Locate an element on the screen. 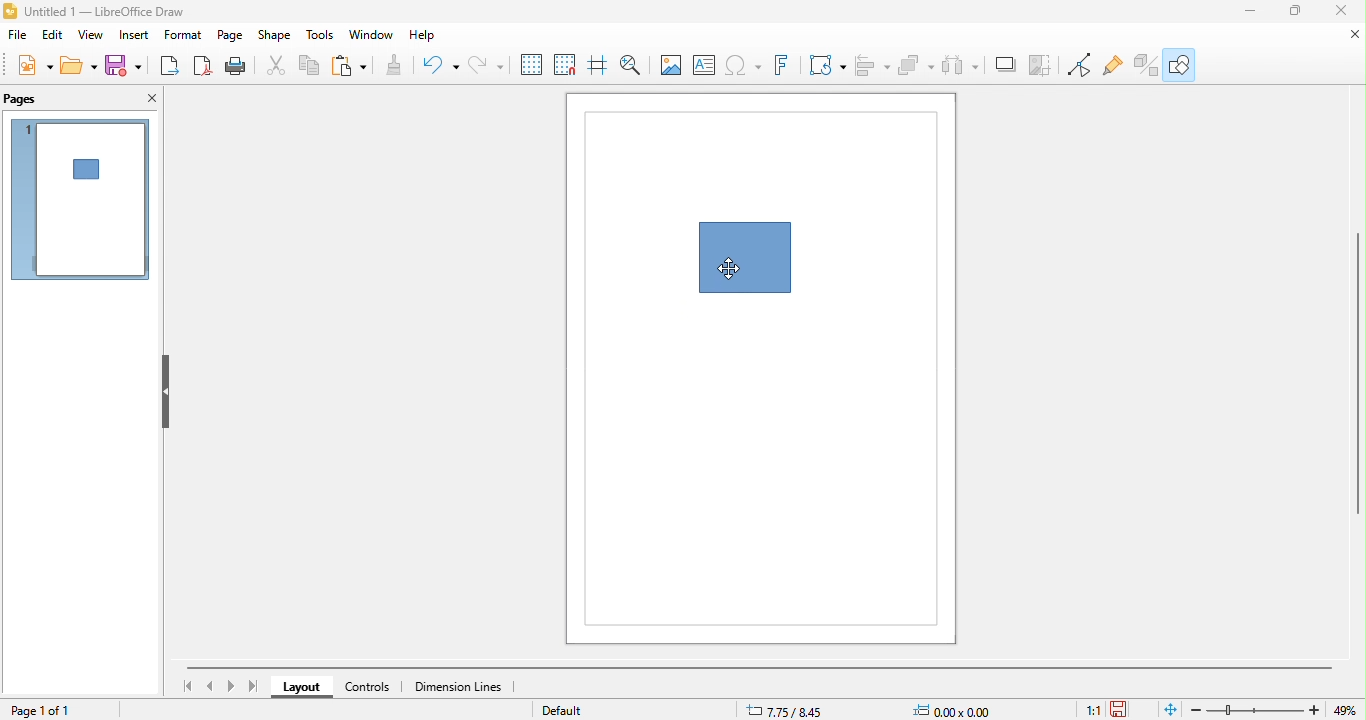 The height and width of the screenshot is (720, 1366). undo is located at coordinates (443, 66).